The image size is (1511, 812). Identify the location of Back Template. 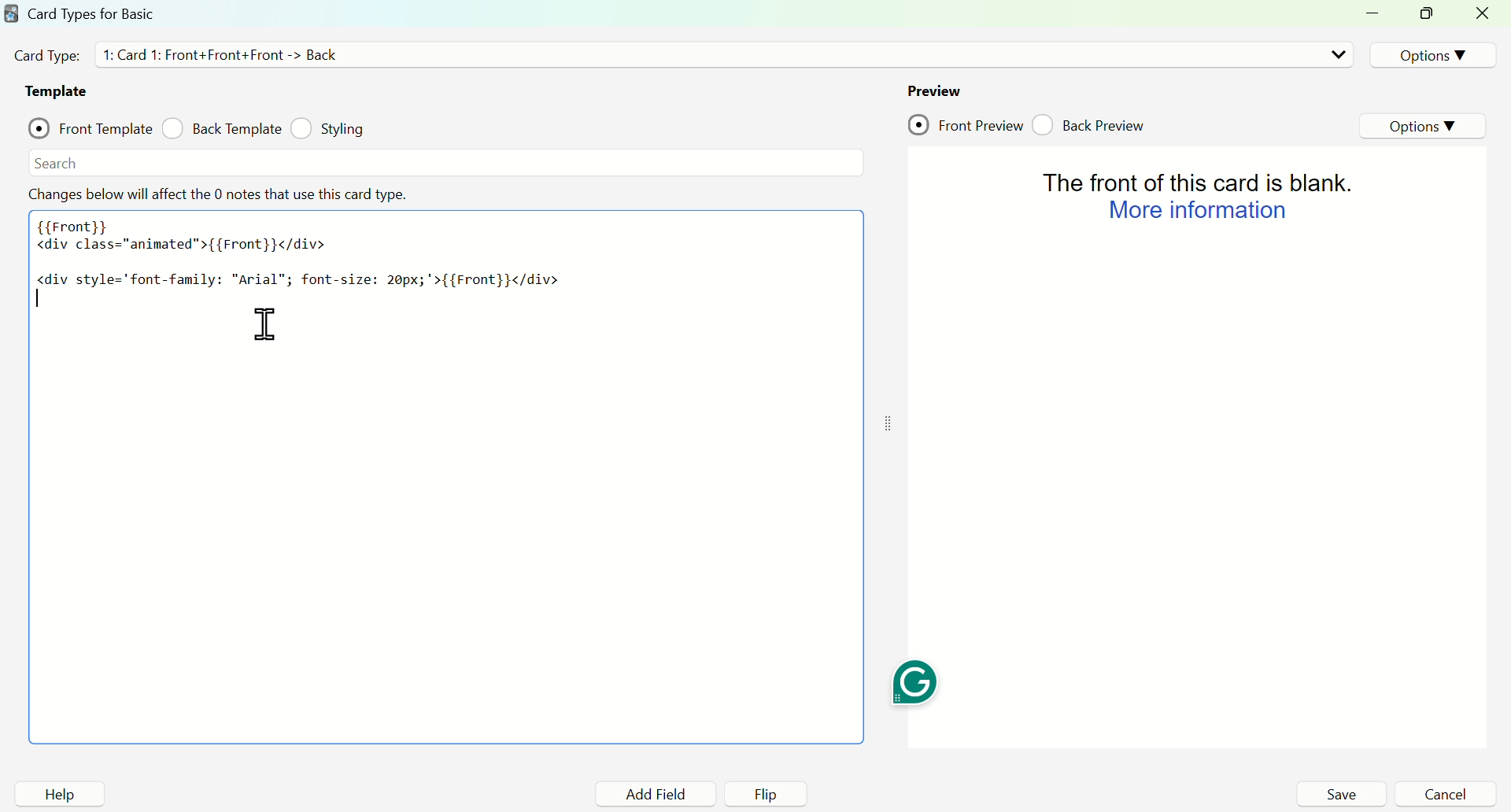
(221, 128).